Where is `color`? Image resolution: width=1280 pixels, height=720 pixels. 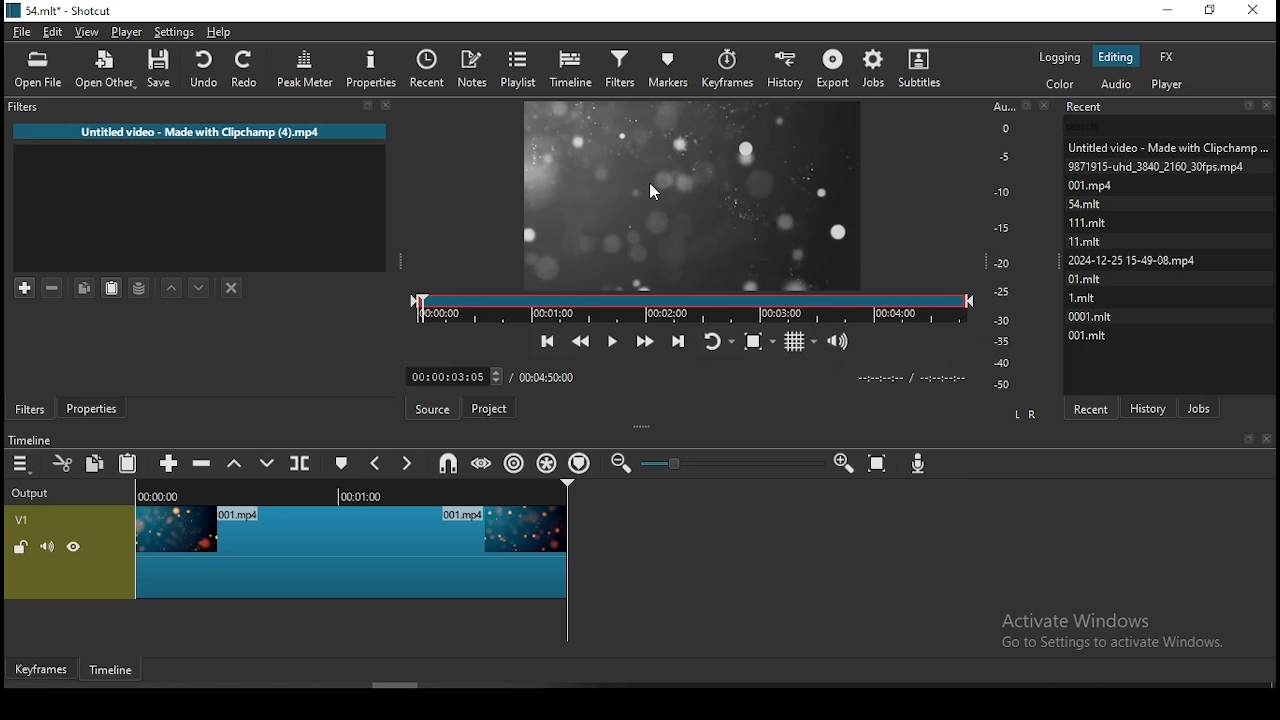 color is located at coordinates (1061, 83).